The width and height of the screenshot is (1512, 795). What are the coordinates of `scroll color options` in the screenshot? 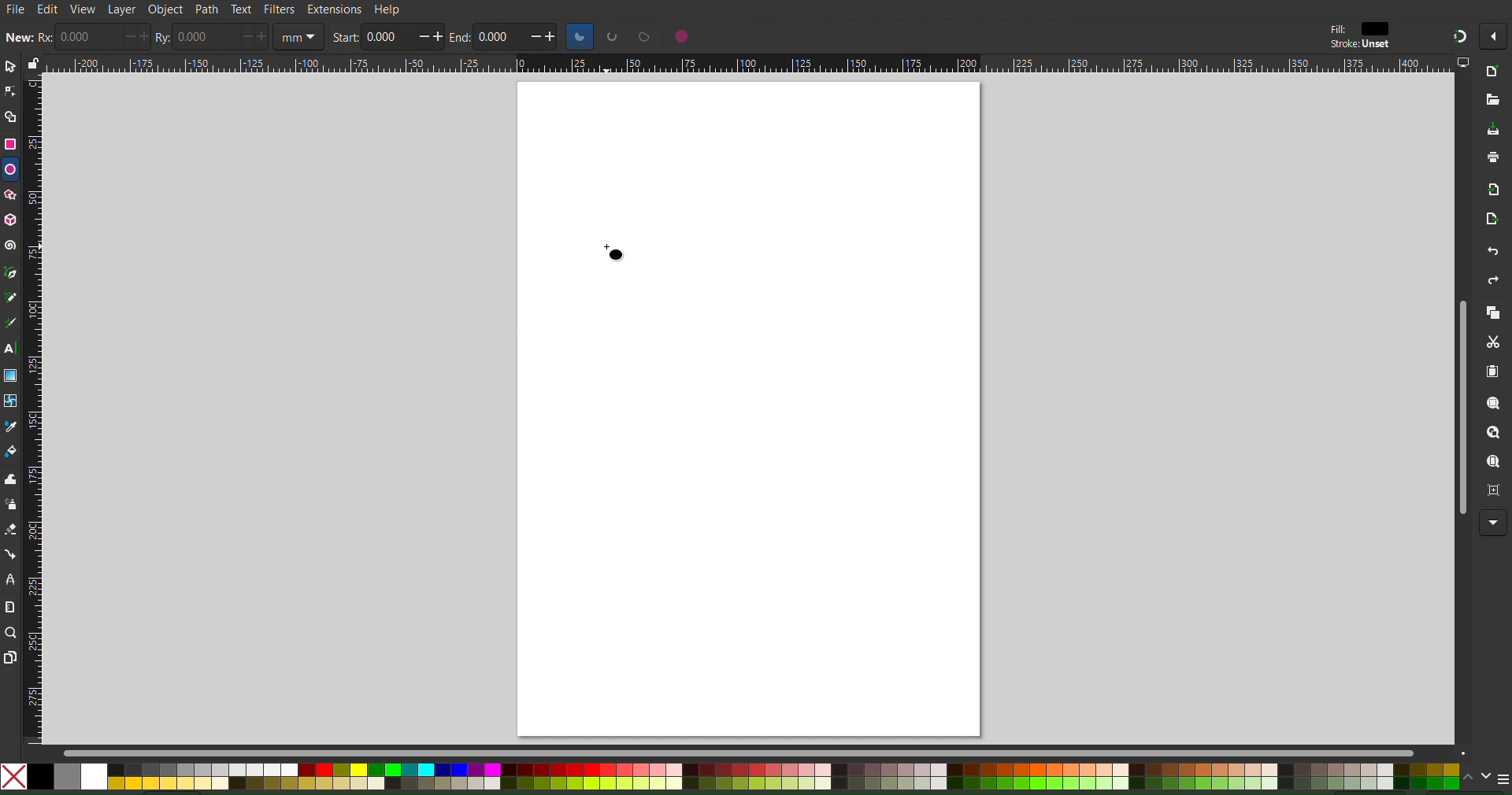 It's located at (1477, 781).